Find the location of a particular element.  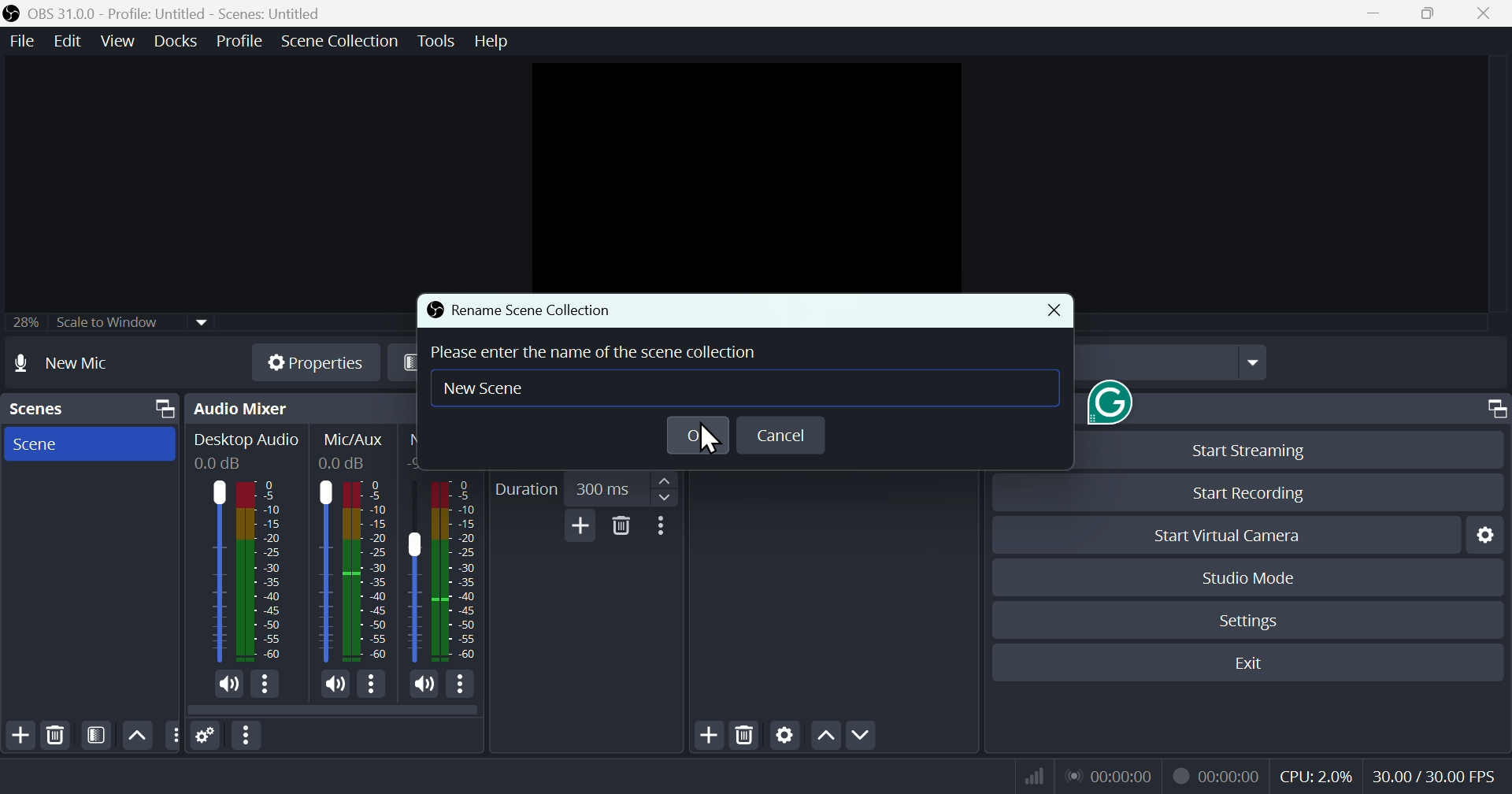

File  is located at coordinates (18, 43).